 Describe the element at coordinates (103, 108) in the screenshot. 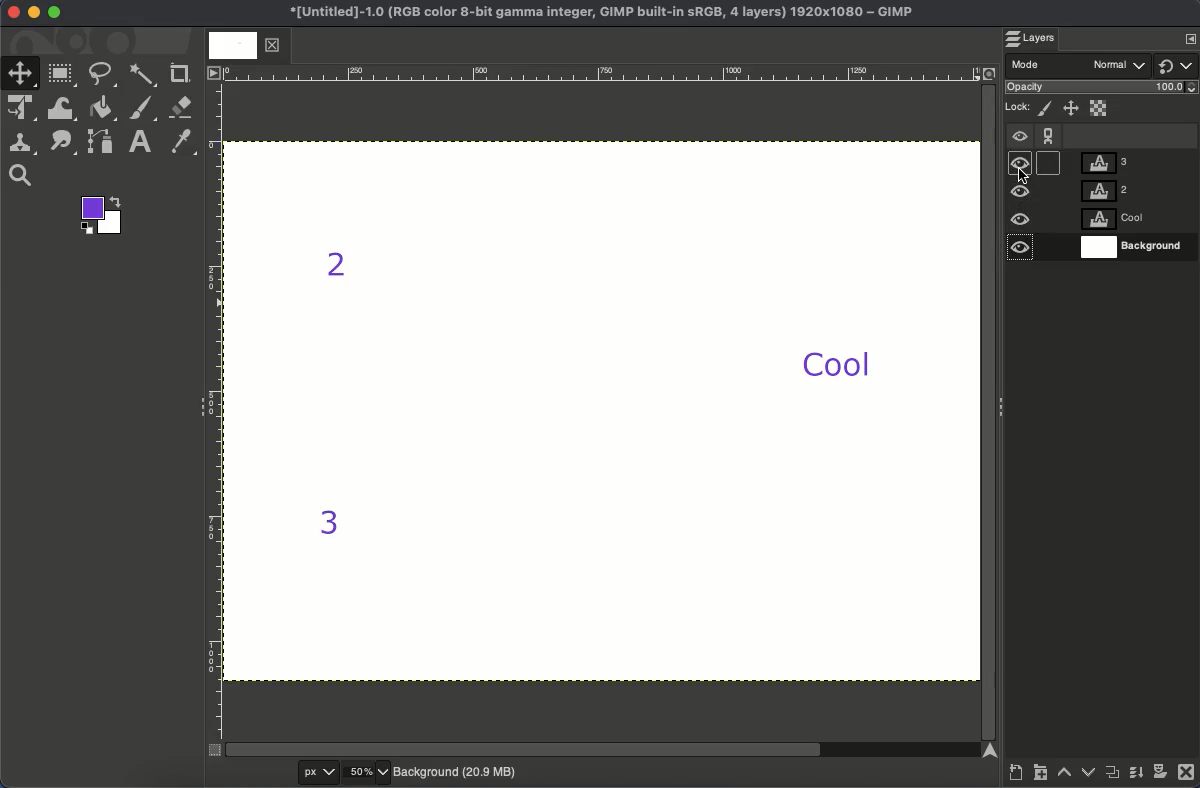

I see `Fill` at that location.